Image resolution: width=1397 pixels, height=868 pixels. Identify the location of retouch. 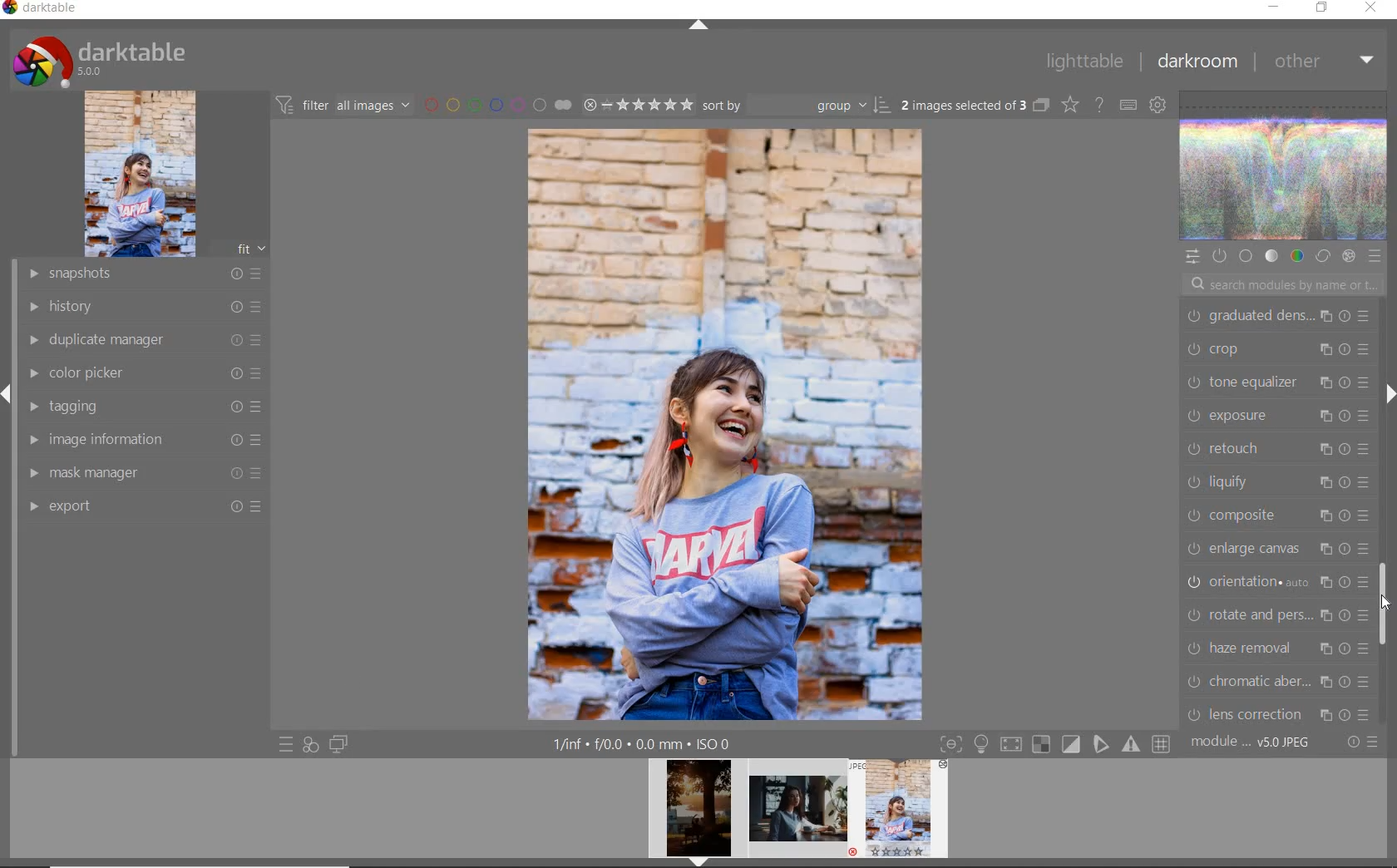
(1281, 451).